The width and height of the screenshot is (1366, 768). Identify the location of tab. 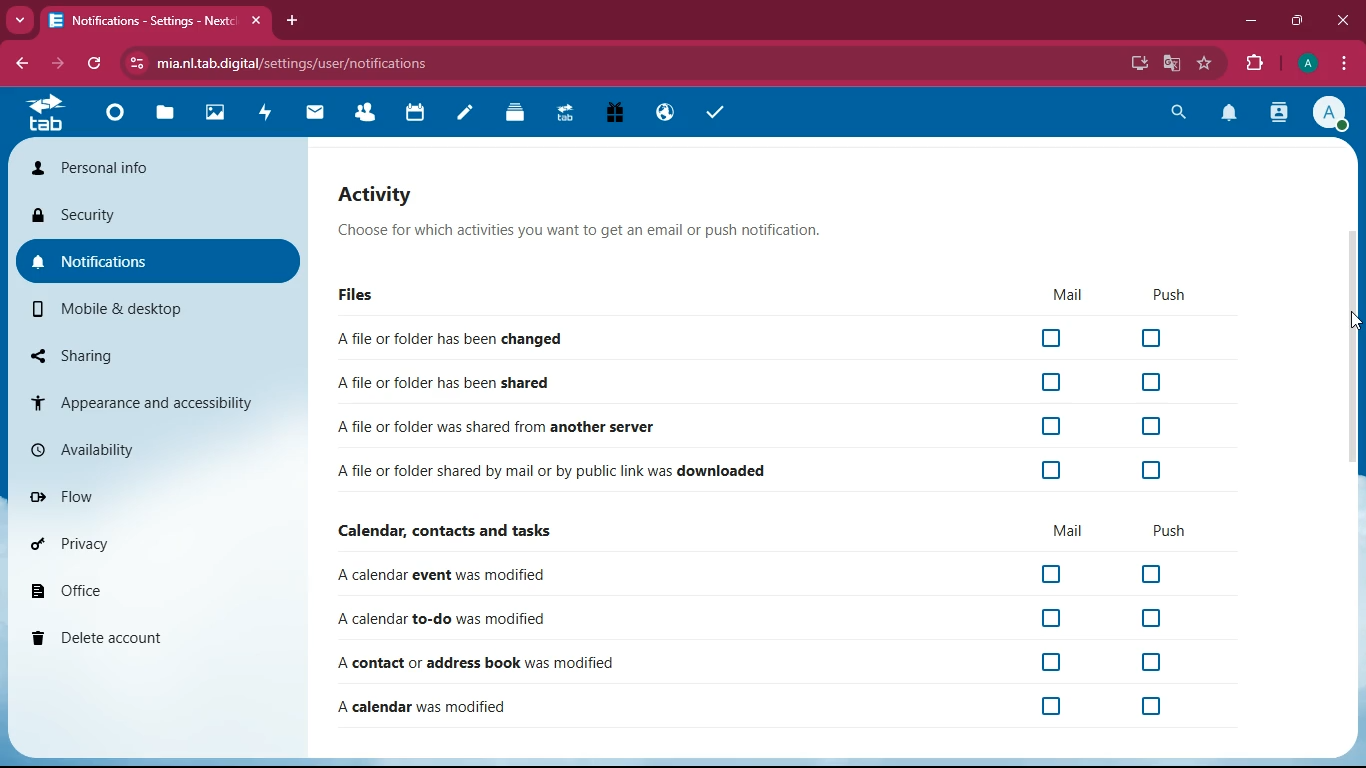
(50, 114).